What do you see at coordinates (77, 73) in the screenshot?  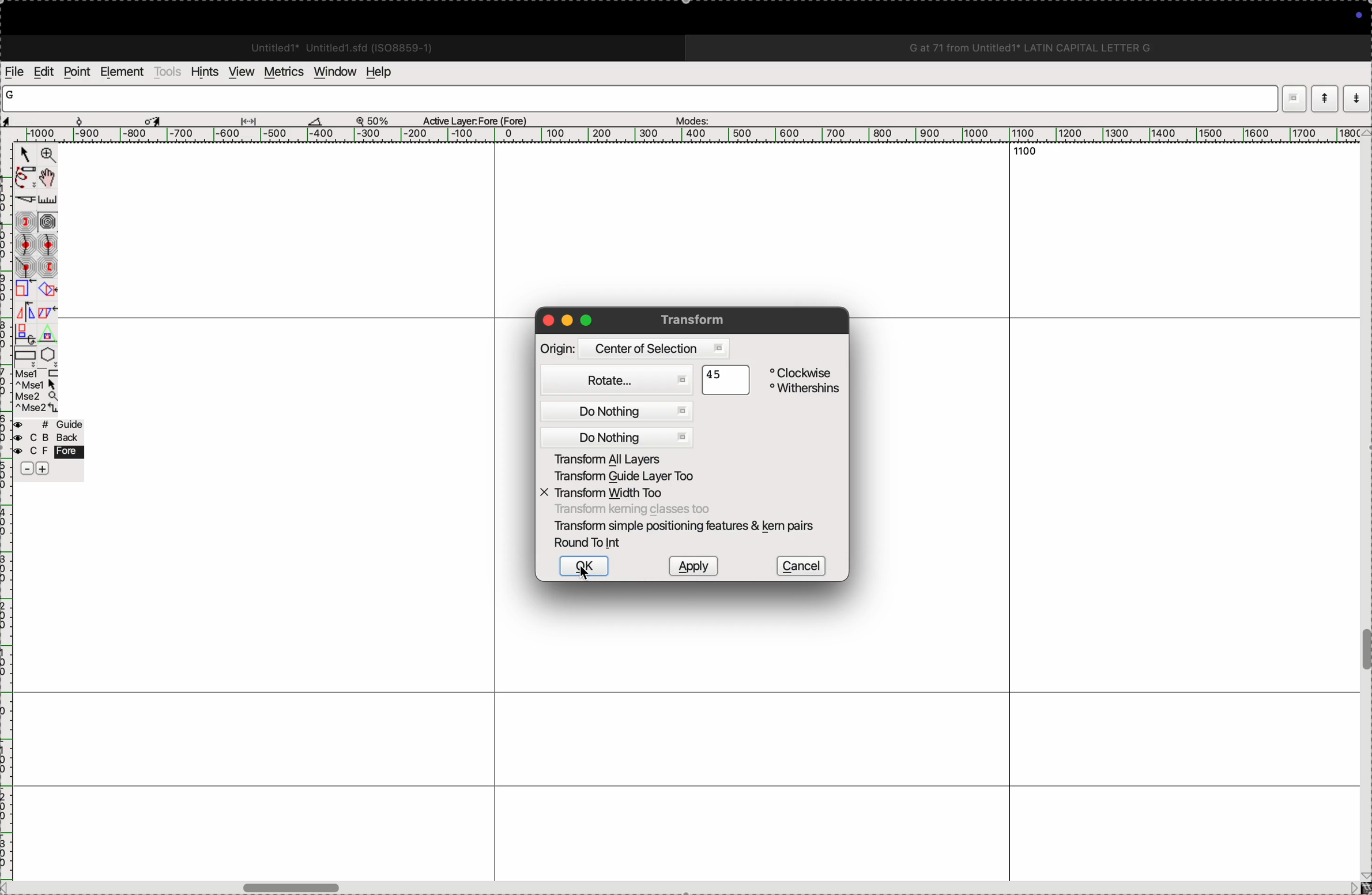 I see `points` at bounding box center [77, 73].